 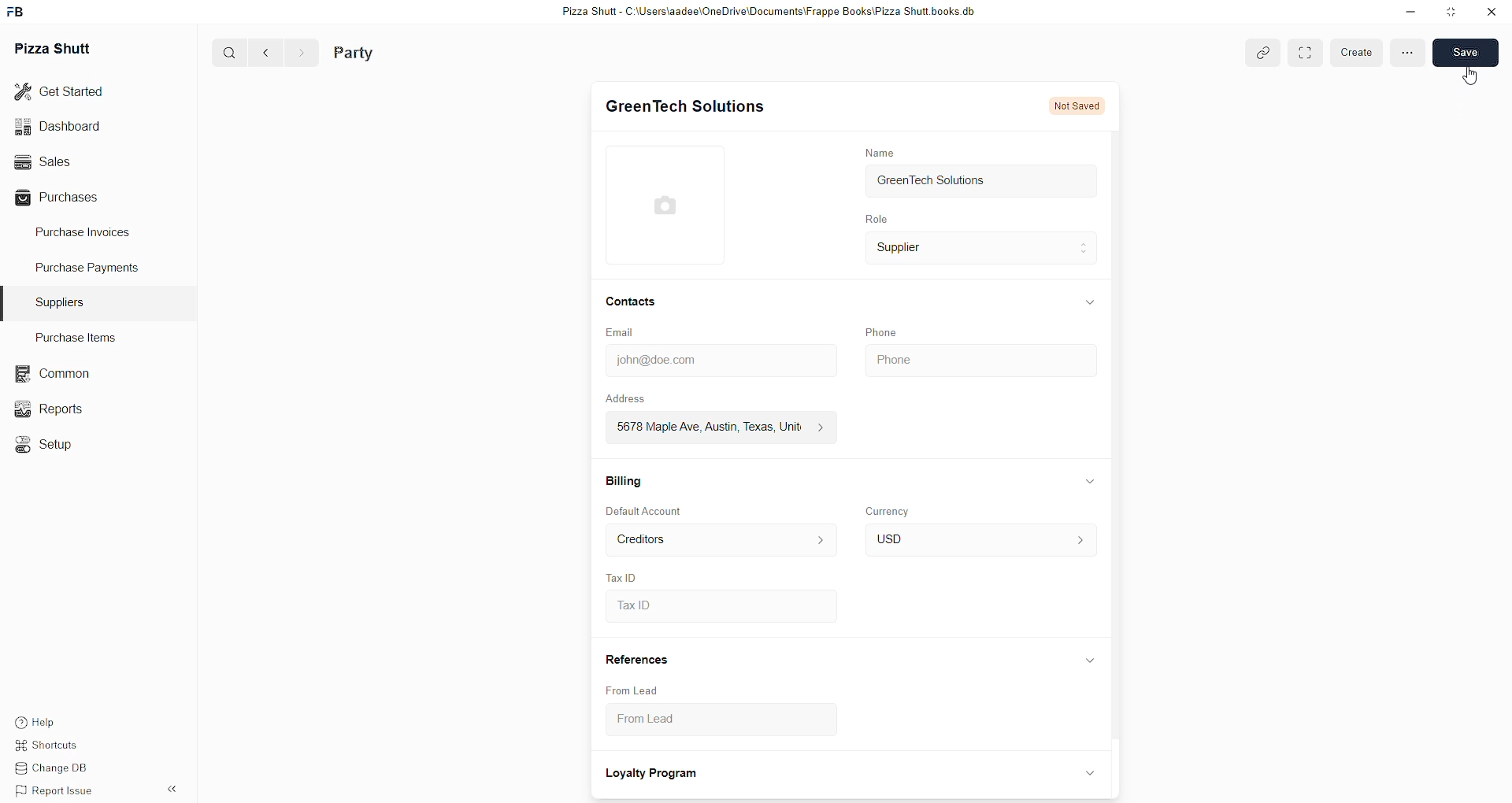 I want to click on Purchase Items, so click(x=81, y=337).